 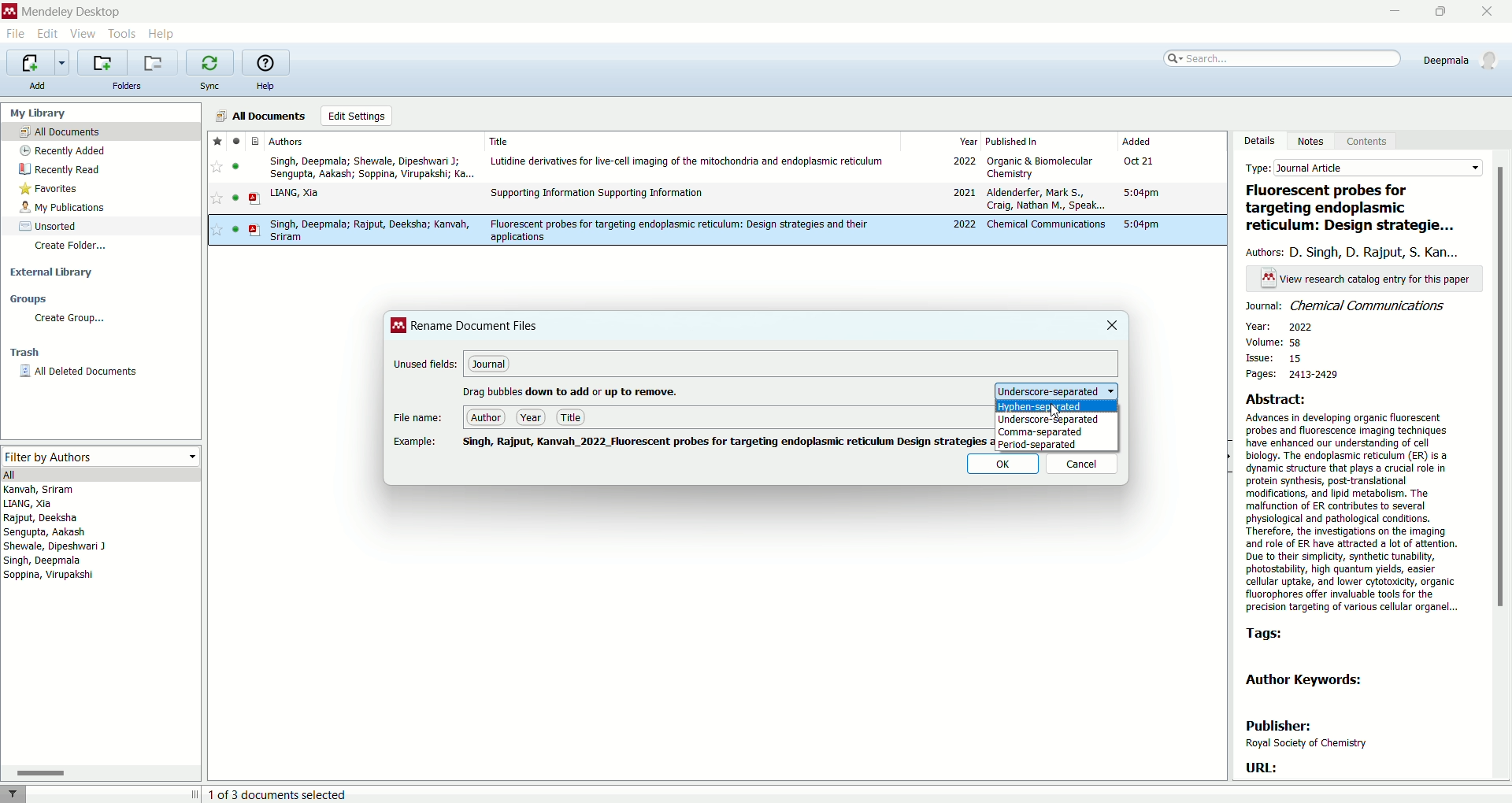 What do you see at coordinates (476, 327) in the screenshot?
I see `rename document files` at bounding box center [476, 327].